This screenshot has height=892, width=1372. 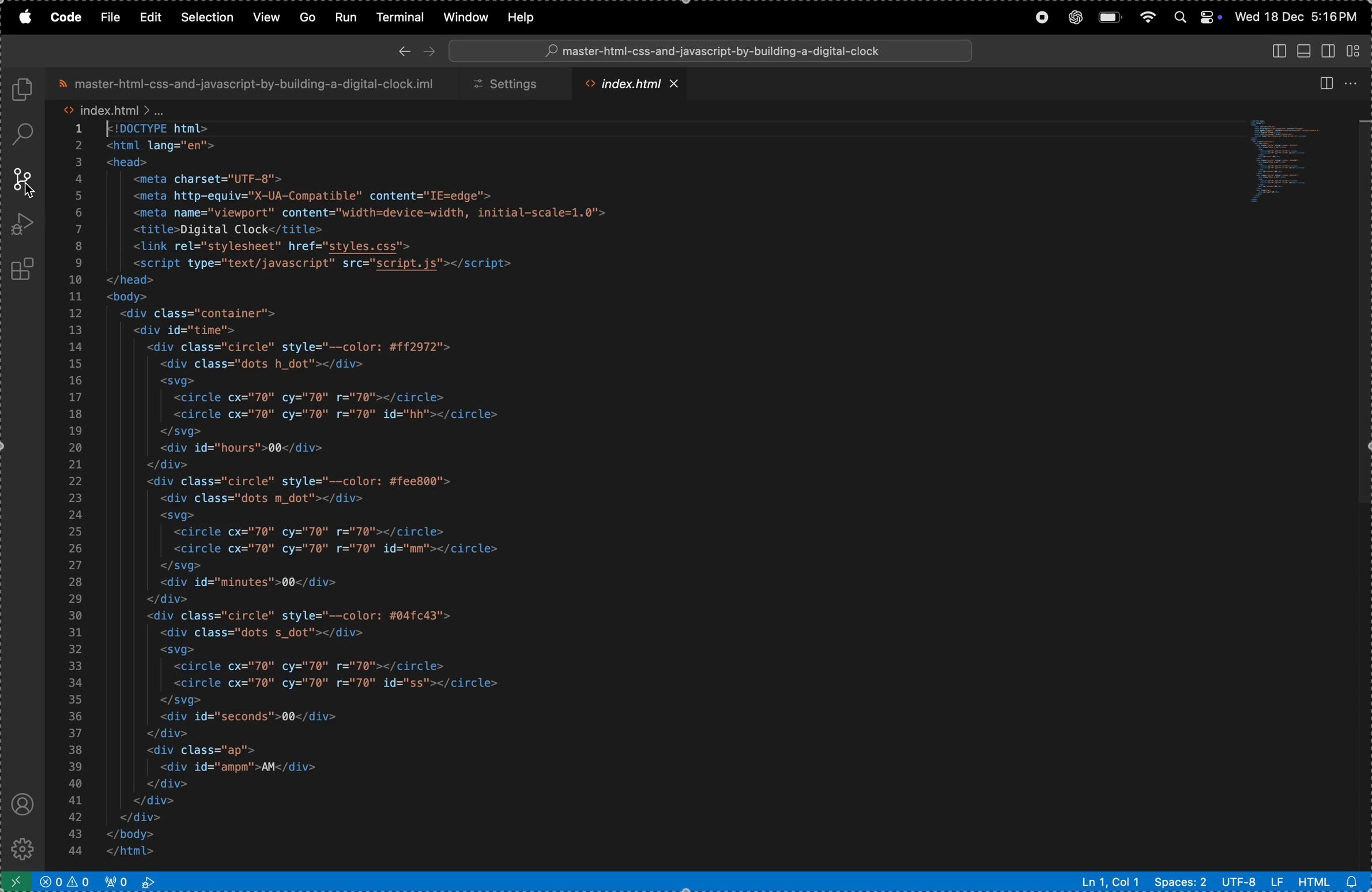 What do you see at coordinates (405, 51) in the screenshot?
I see `back ward` at bounding box center [405, 51].